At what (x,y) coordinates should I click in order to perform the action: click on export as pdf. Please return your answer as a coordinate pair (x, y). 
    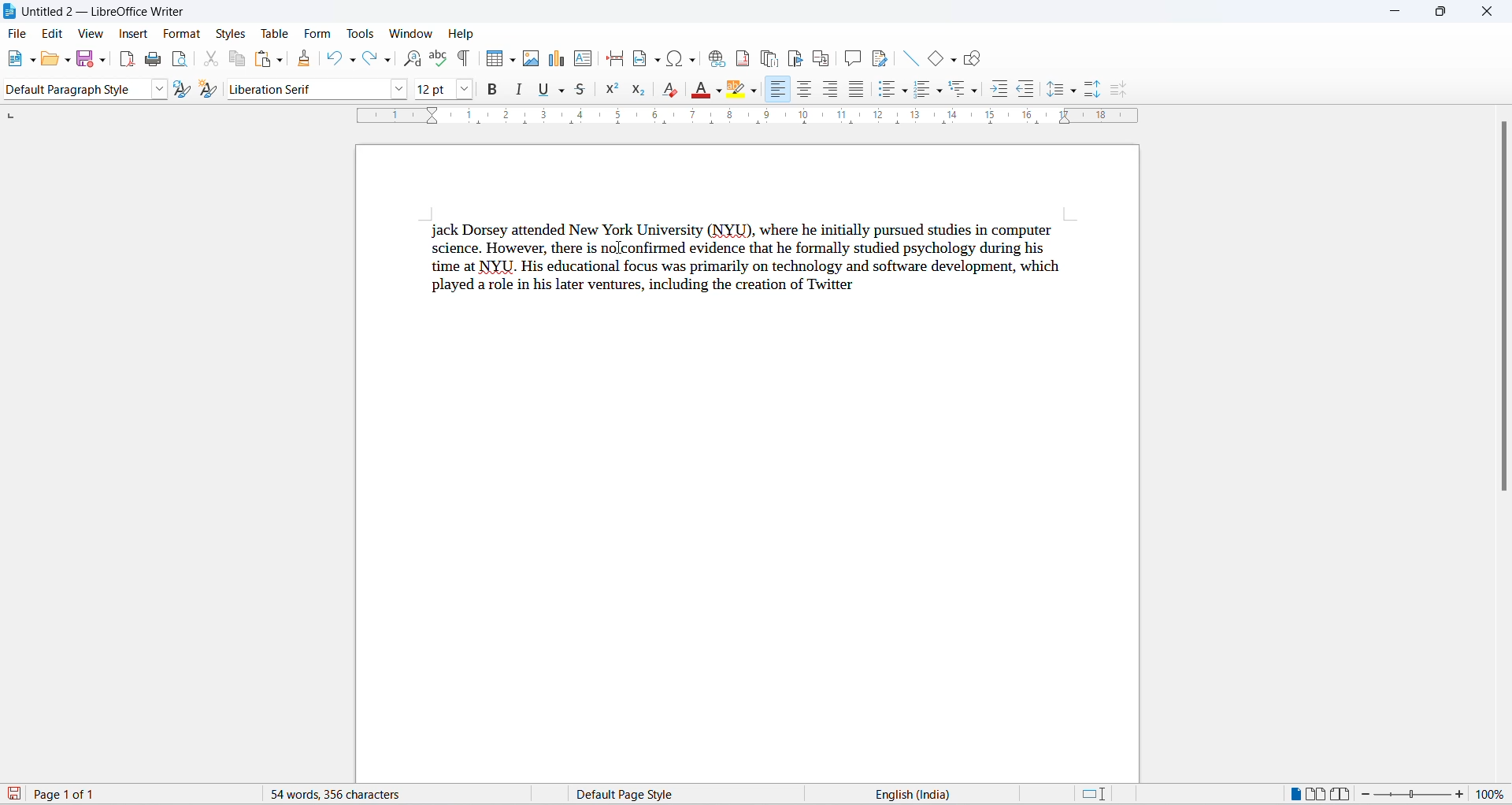
    Looking at the image, I should click on (127, 61).